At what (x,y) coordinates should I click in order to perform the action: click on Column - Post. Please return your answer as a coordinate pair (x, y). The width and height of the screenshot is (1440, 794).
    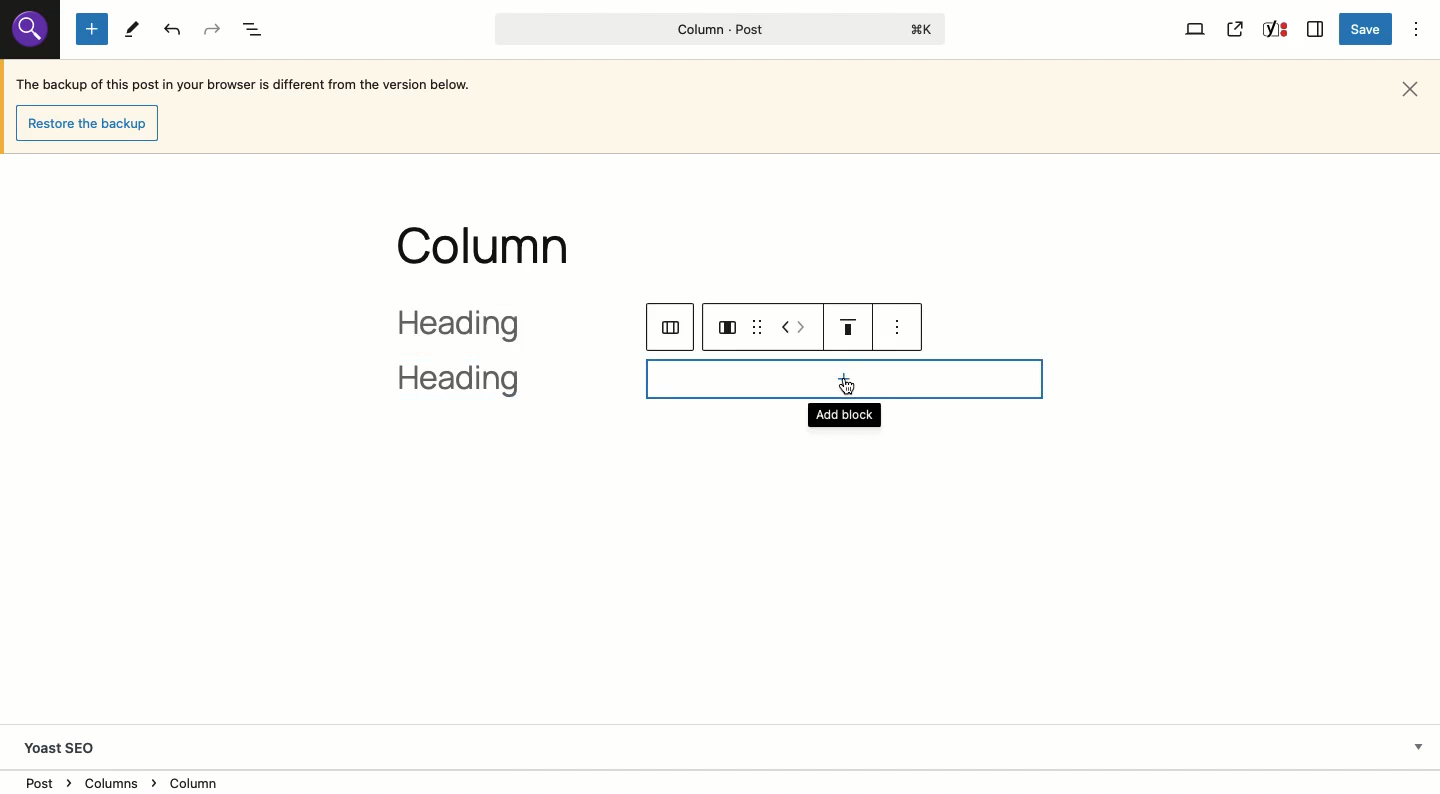
    Looking at the image, I should click on (715, 29).